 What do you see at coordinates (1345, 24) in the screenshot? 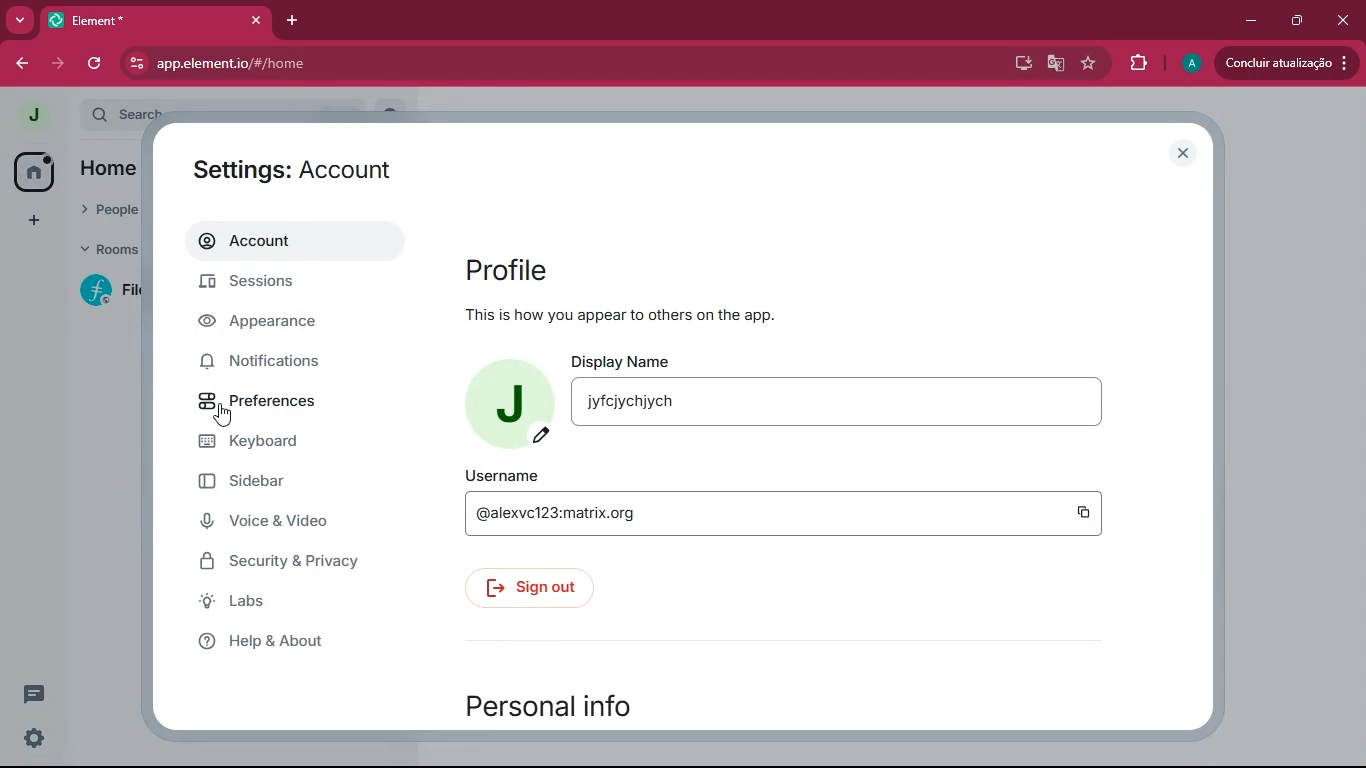
I see `close` at bounding box center [1345, 24].